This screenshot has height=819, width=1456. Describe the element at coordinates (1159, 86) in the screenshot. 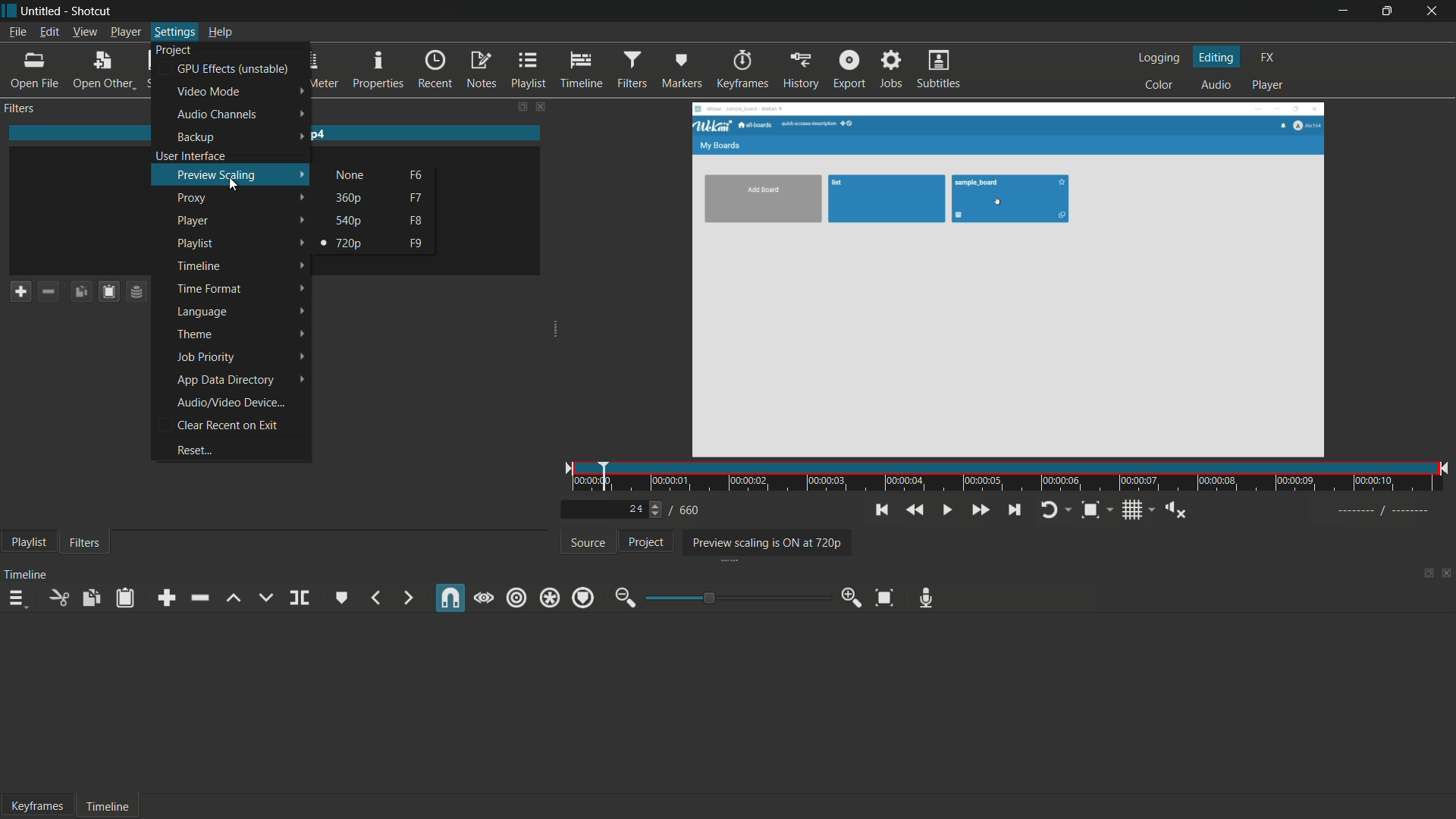

I see `color` at that location.